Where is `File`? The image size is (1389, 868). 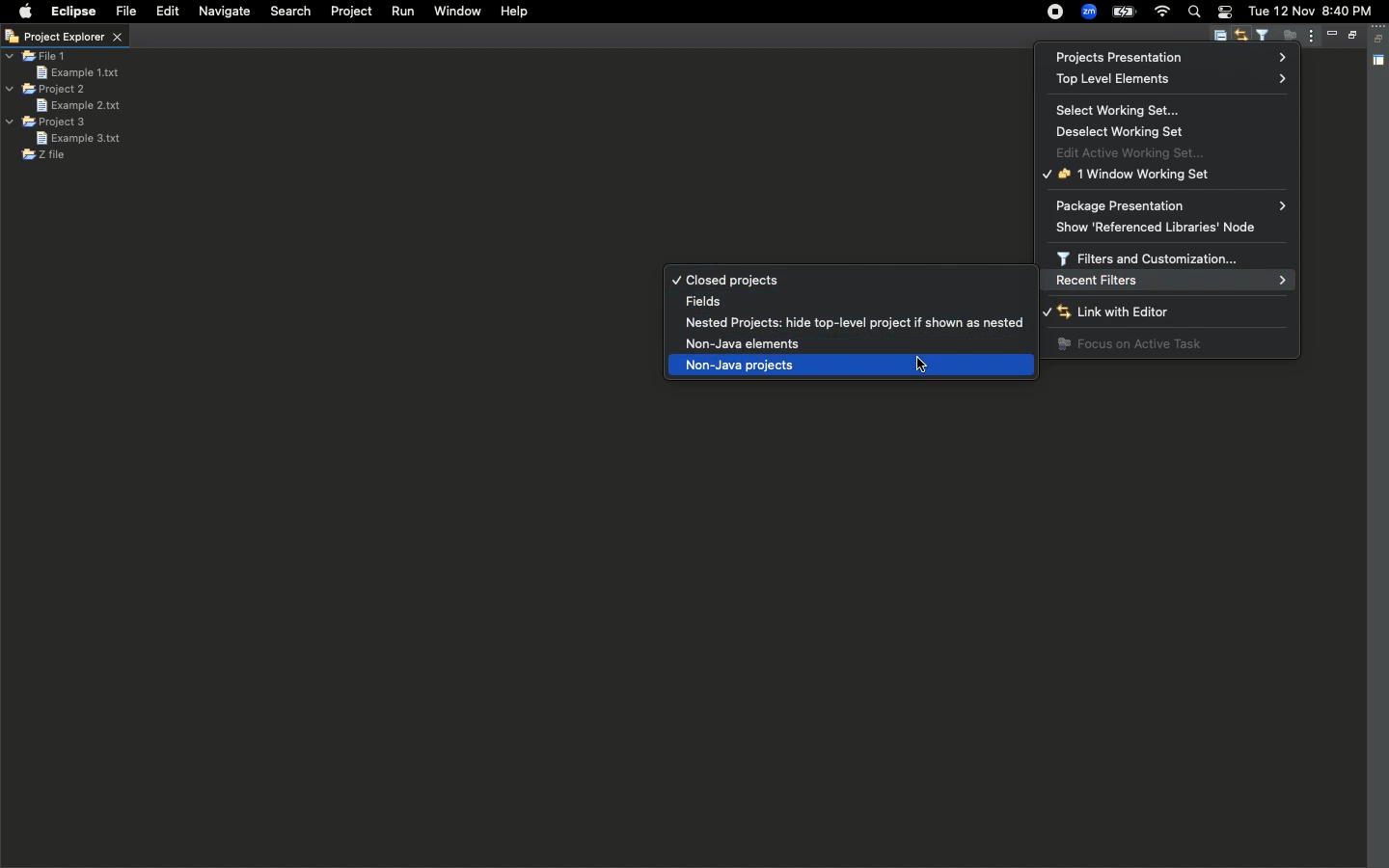
File is located at coordinates (126, 12).